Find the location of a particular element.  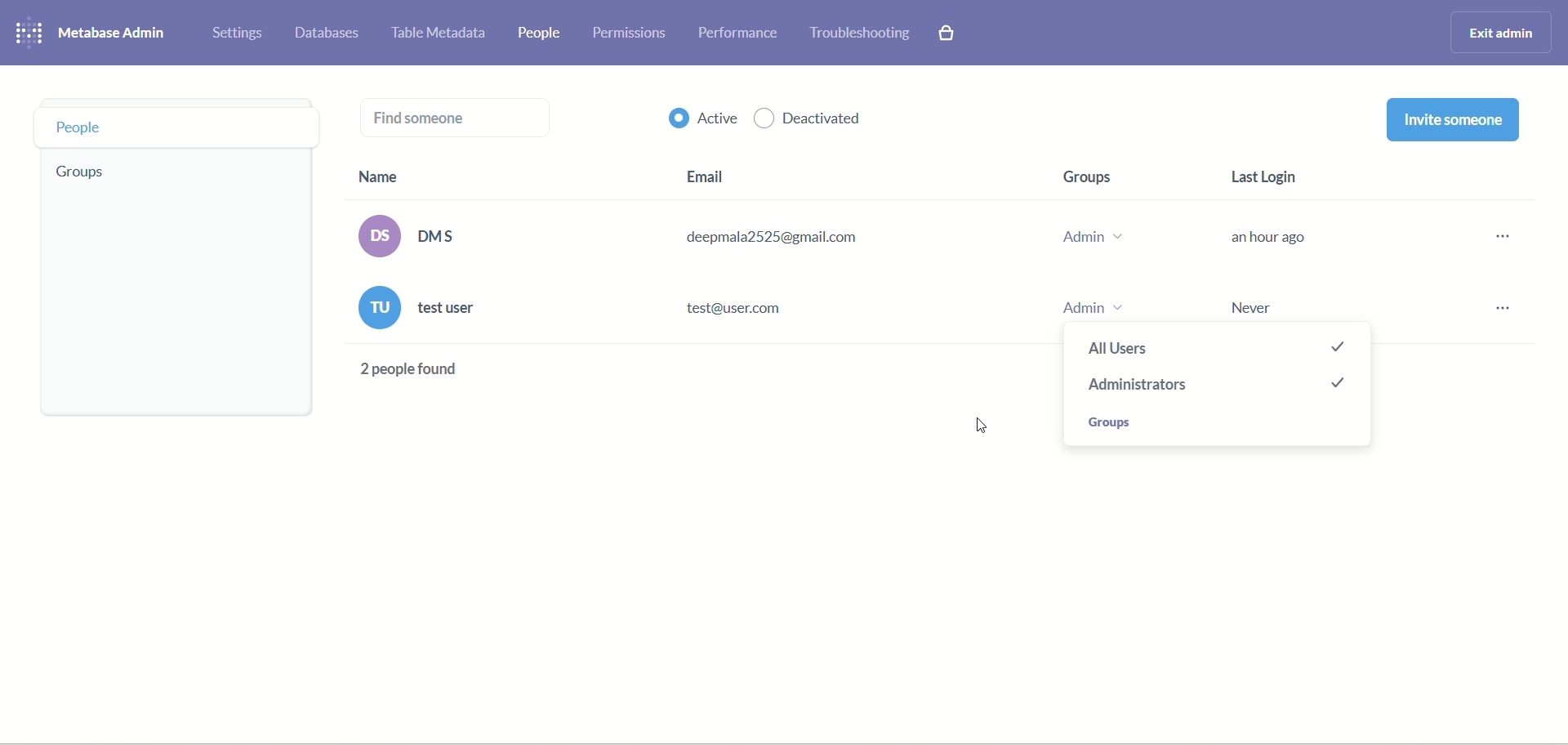

group is located at coordinates (1085, 238).